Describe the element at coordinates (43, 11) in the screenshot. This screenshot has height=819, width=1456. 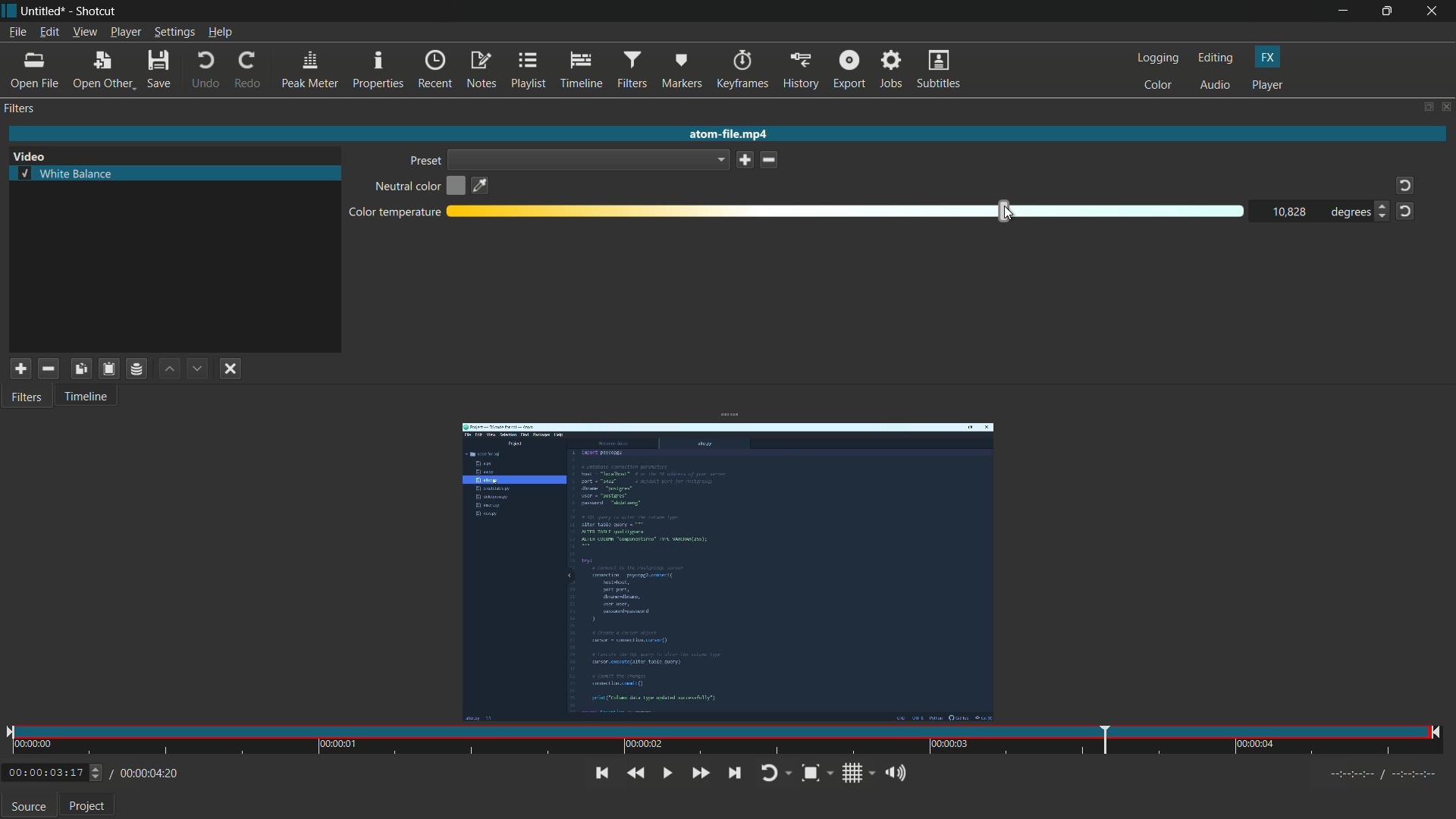
I see `untitled (file name)` at that location.